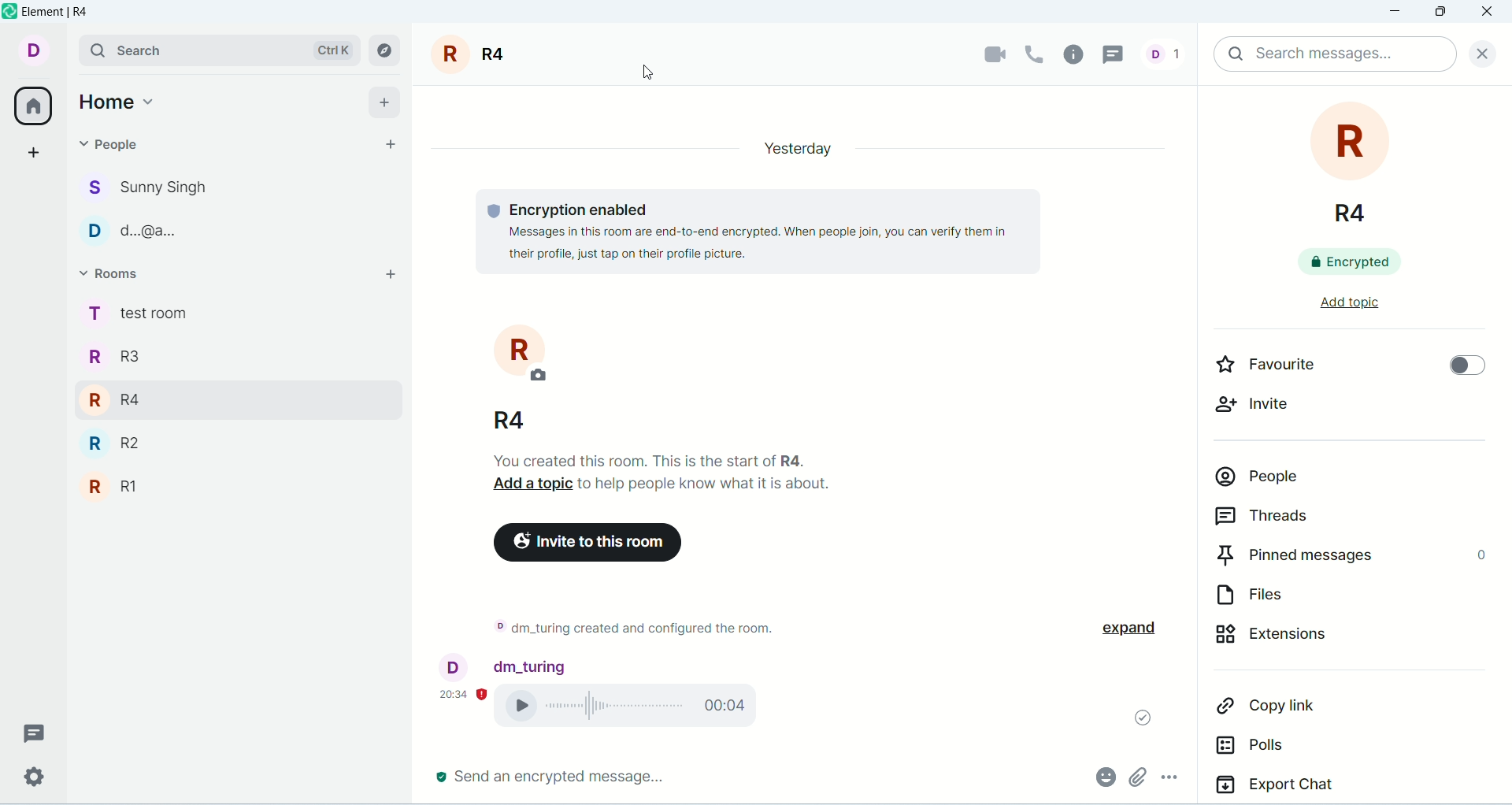 The height and width of the screenshot is (805, 1512). Describe the element at coordinates (1103, 775) in the screenshot. I see `emoji` at that location.